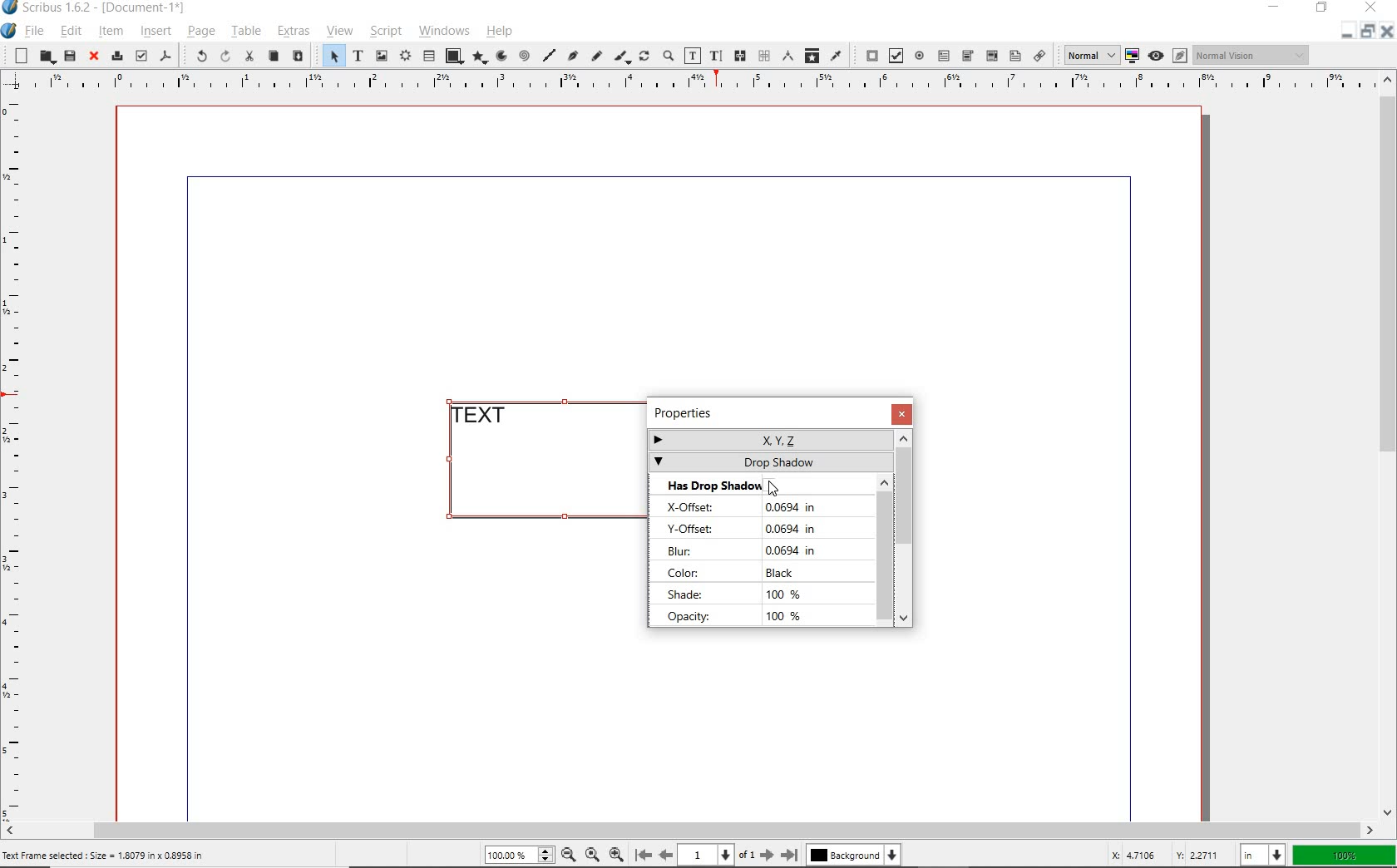  I want to click on edit contents of frame, so click(692, 57).